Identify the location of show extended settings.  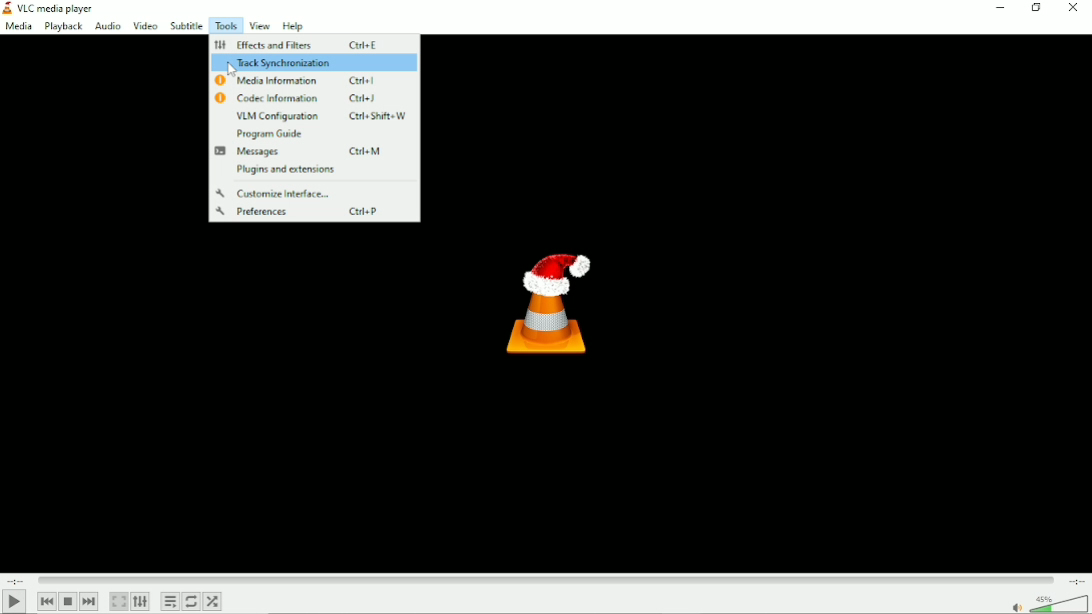
(141, 601).